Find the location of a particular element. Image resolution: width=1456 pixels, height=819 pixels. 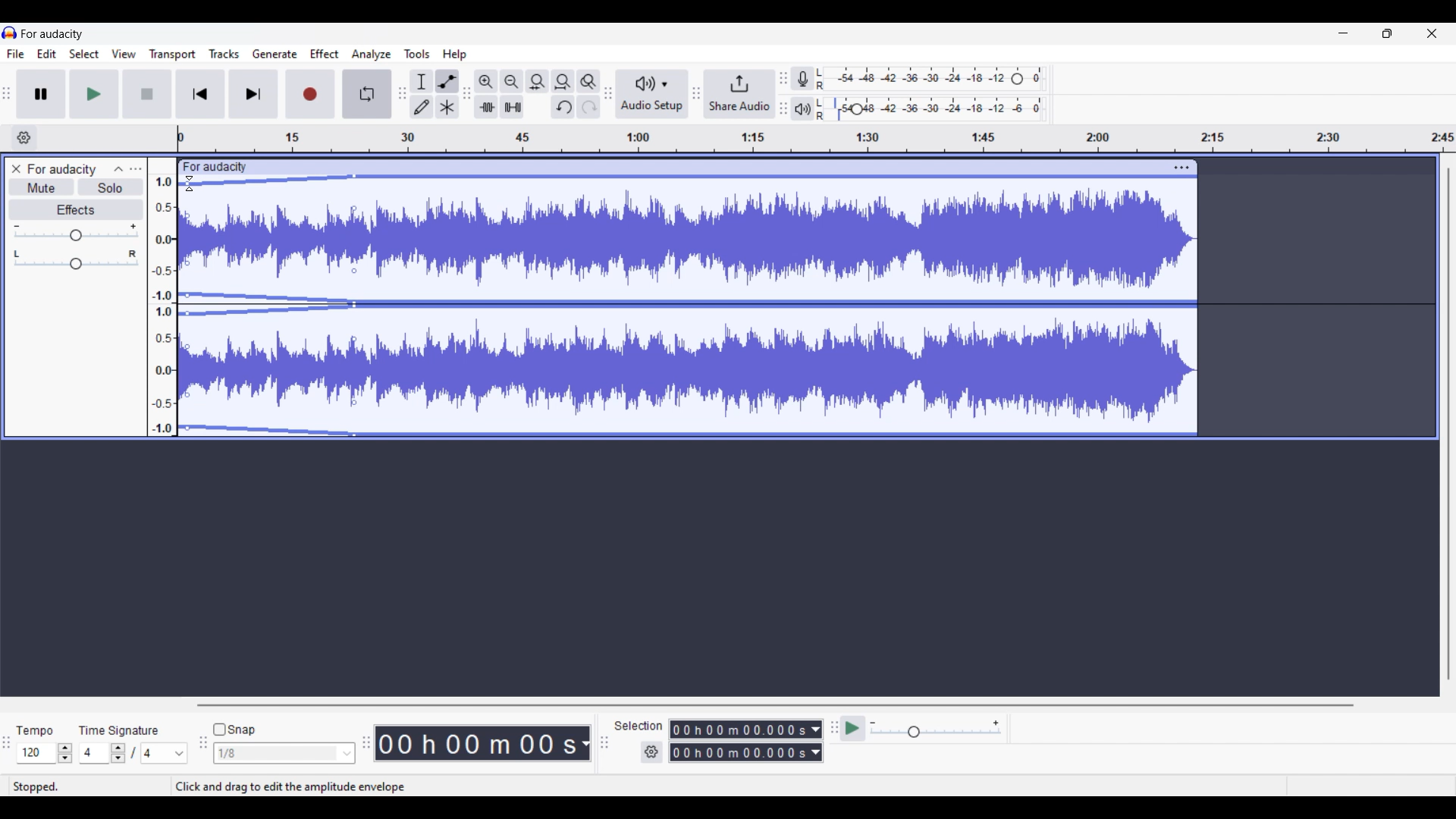

logo is located at coordinates (10, 33).